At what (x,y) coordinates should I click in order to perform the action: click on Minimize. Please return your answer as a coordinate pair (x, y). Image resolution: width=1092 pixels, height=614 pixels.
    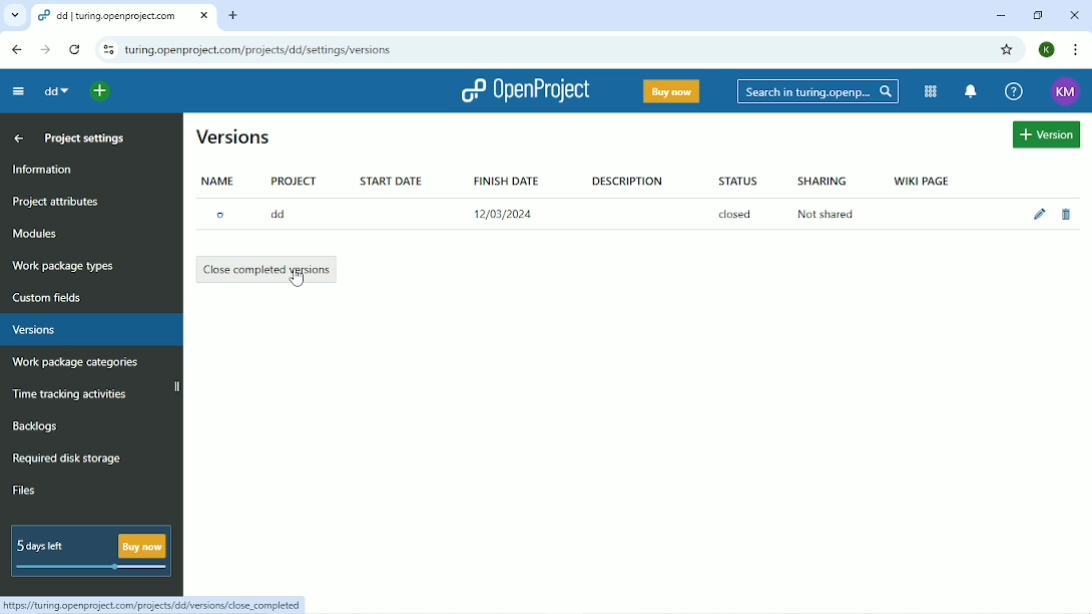
    Looking at the image, I should click on (1001, 16).